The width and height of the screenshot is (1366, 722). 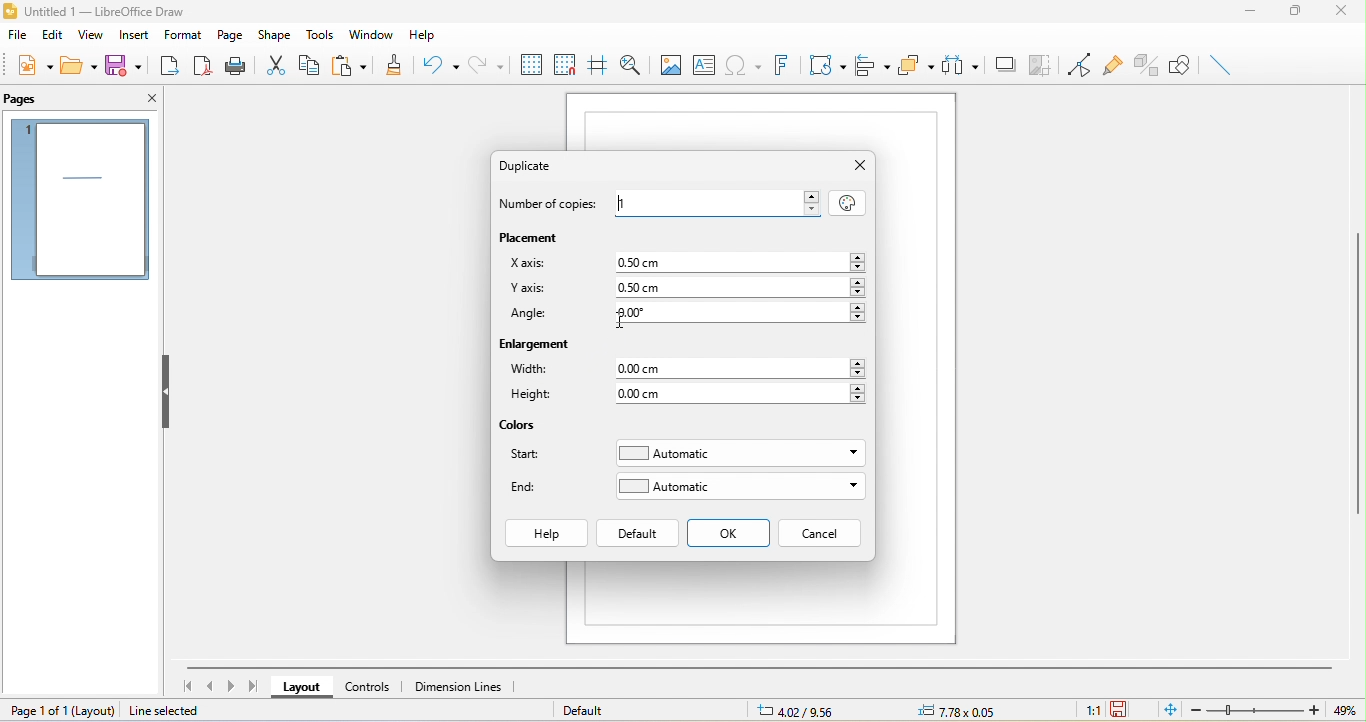 I want to click on page, so click(x=231, y=33).